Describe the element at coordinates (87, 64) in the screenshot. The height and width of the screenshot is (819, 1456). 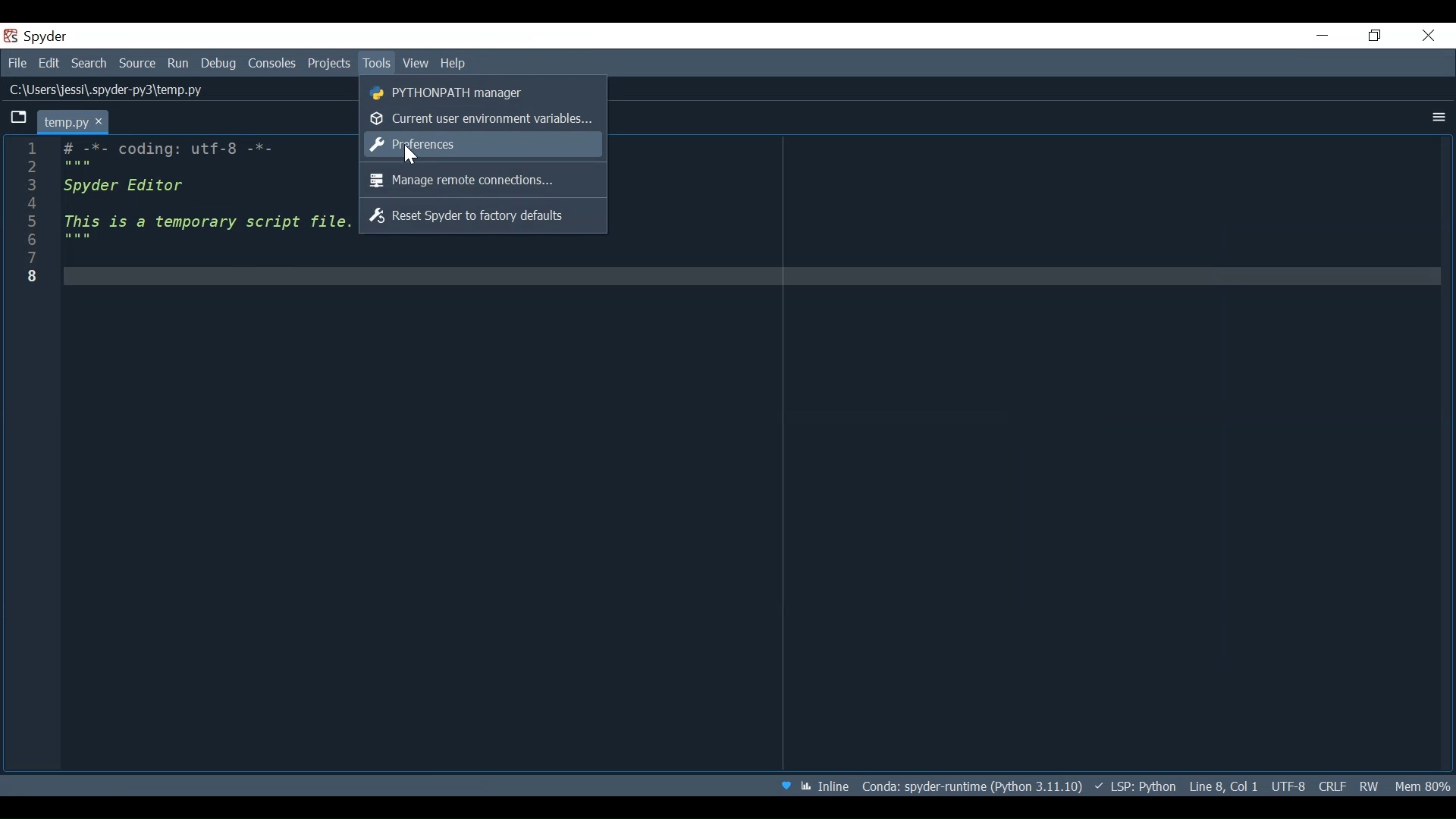
I see `Search` at that location.